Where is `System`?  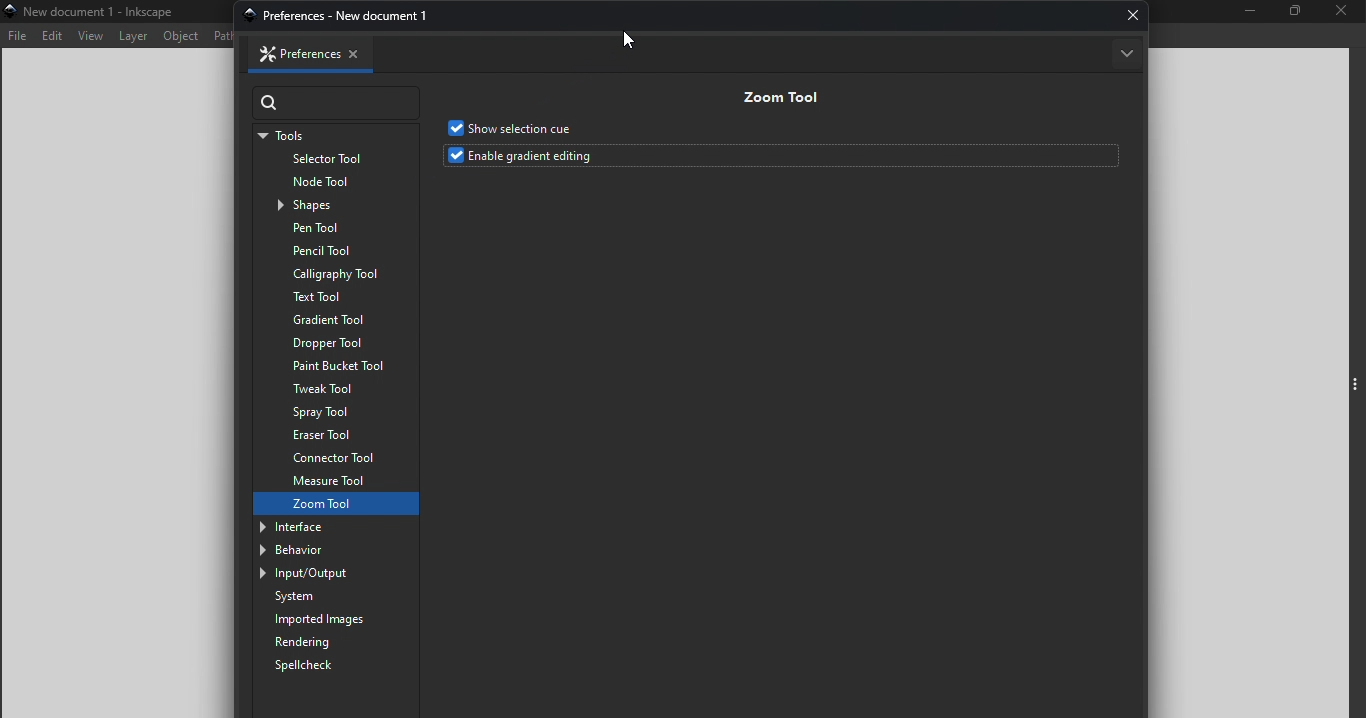 System is located at coordinates (331, 595).